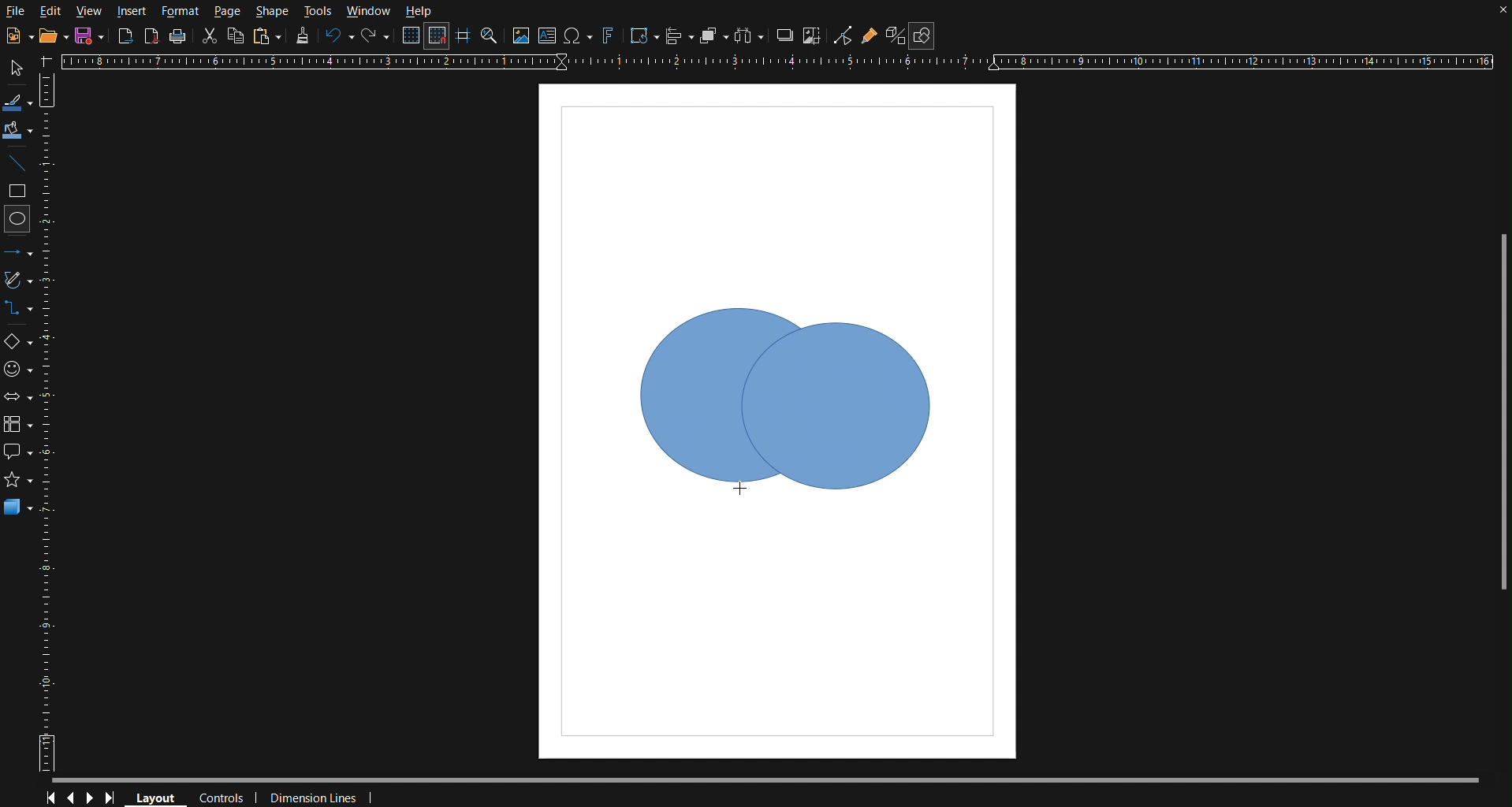 The height and width of the screenshot is (807, 1512). Describe the element at coordinates (88, 11) in the screenshot. I see `View` at that location.